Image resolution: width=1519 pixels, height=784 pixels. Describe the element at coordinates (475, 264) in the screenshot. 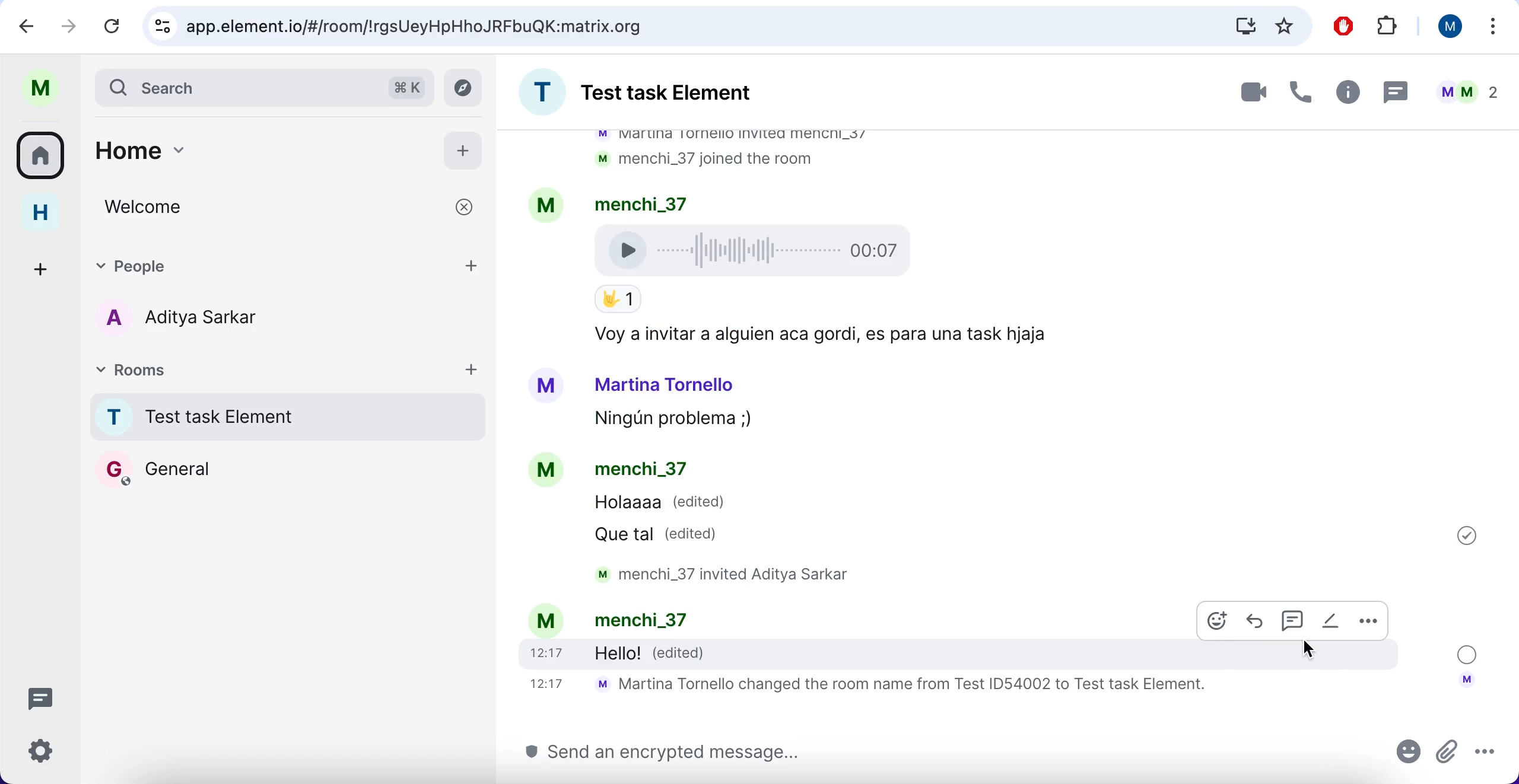

I see `add` at that location.